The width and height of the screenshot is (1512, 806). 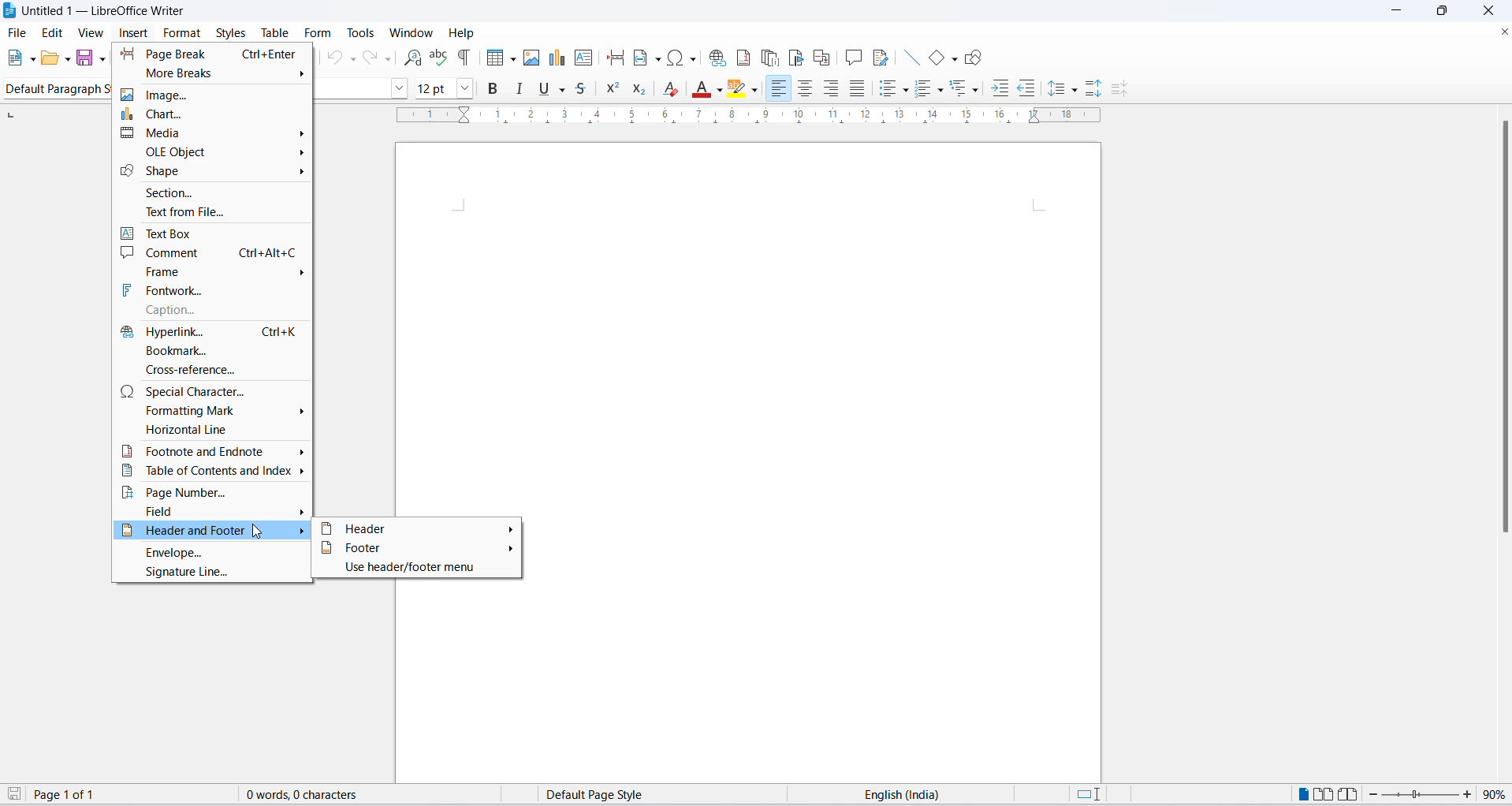 What do you see at coordinates (378, 58) in the screenshot?
I see `redo` at bounding box center [378, 58].